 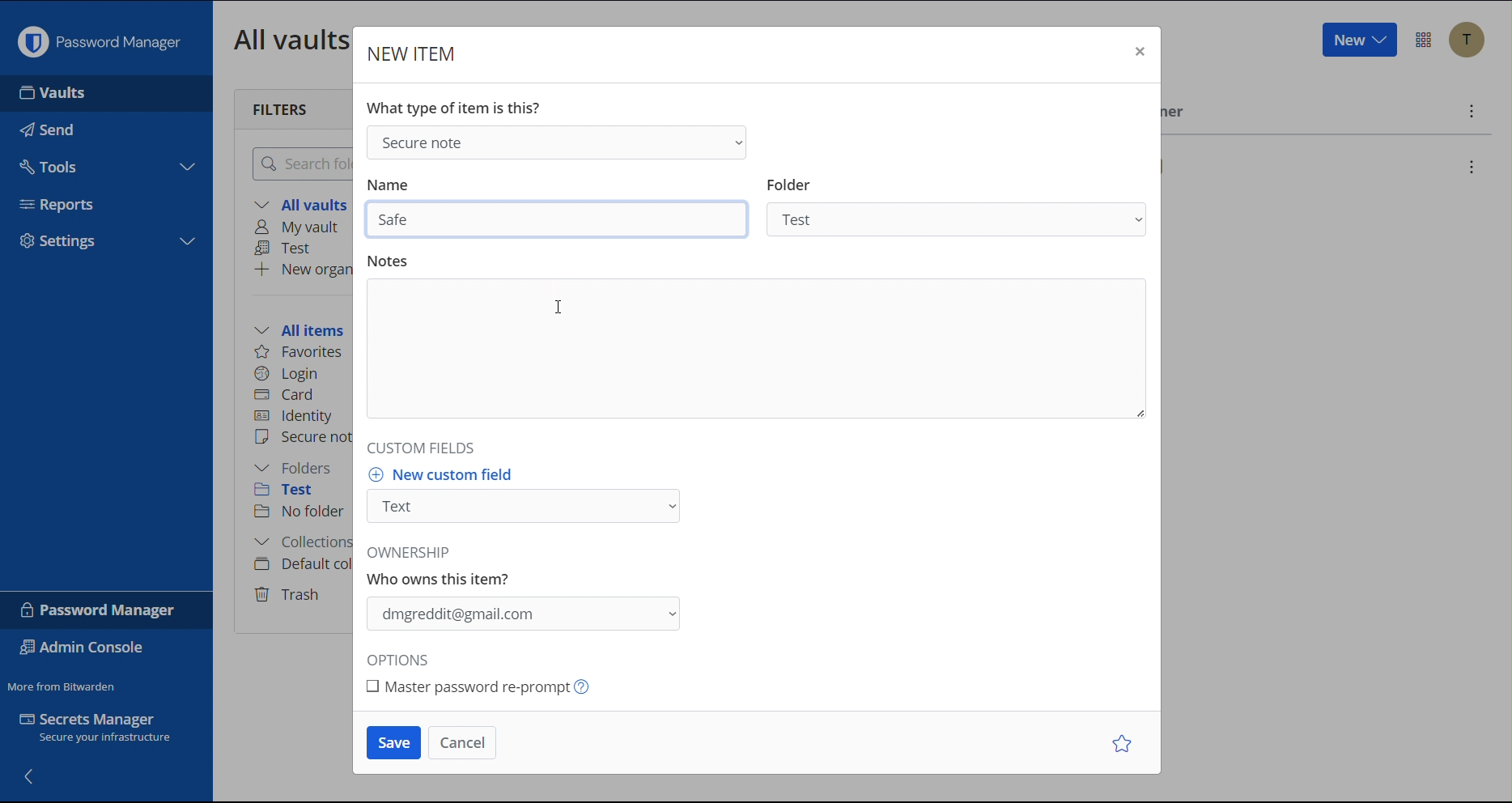 What do you see at coordinates (287, 393) in the screenshot?
I see `Card` at bounding box center [287, 393].